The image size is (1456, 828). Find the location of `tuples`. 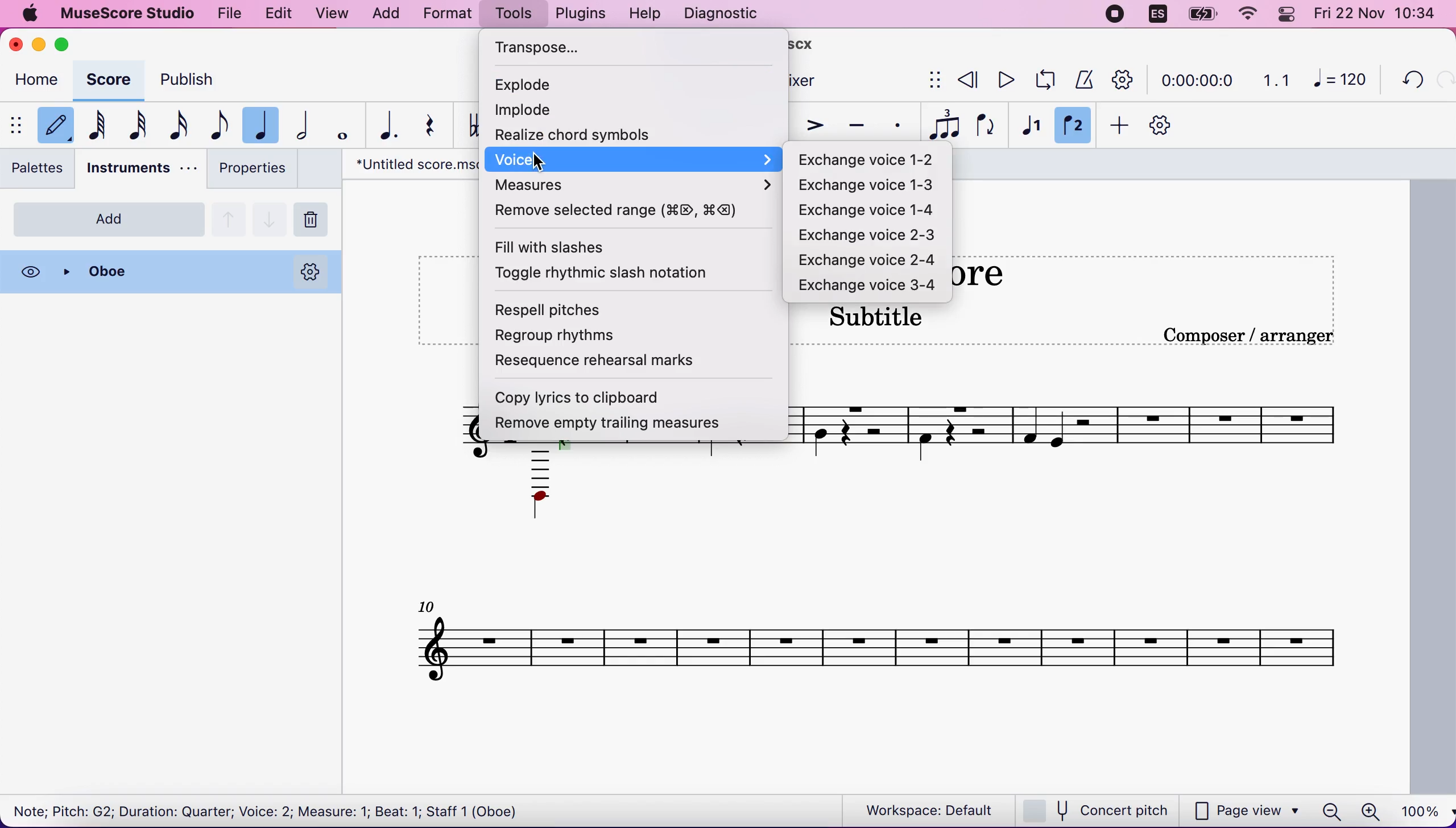

tuples is located at coordinates (940, 124).